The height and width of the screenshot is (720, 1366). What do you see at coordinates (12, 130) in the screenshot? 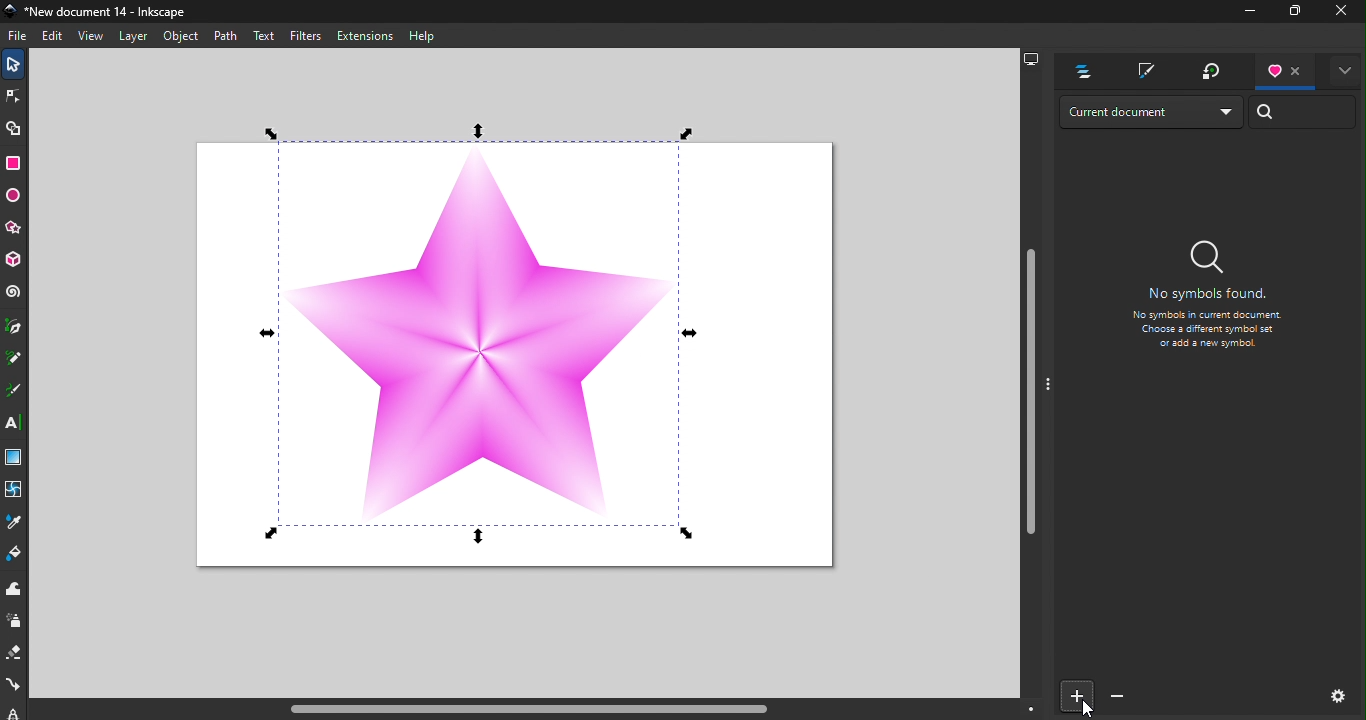
I see `Shape builder tool` at bounding box center [12, 130].